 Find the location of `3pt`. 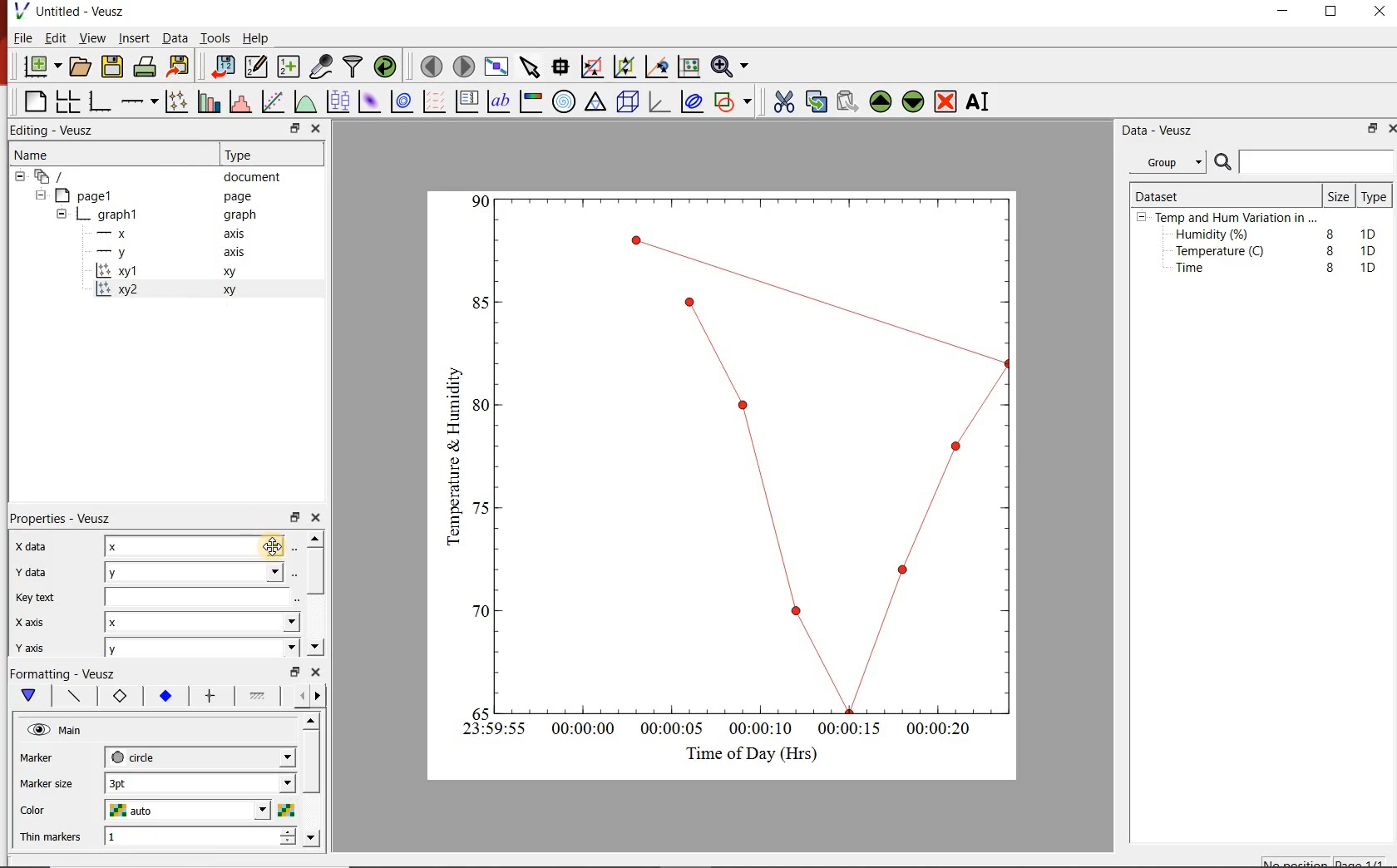

3pt is located at coordinates (137, 782).